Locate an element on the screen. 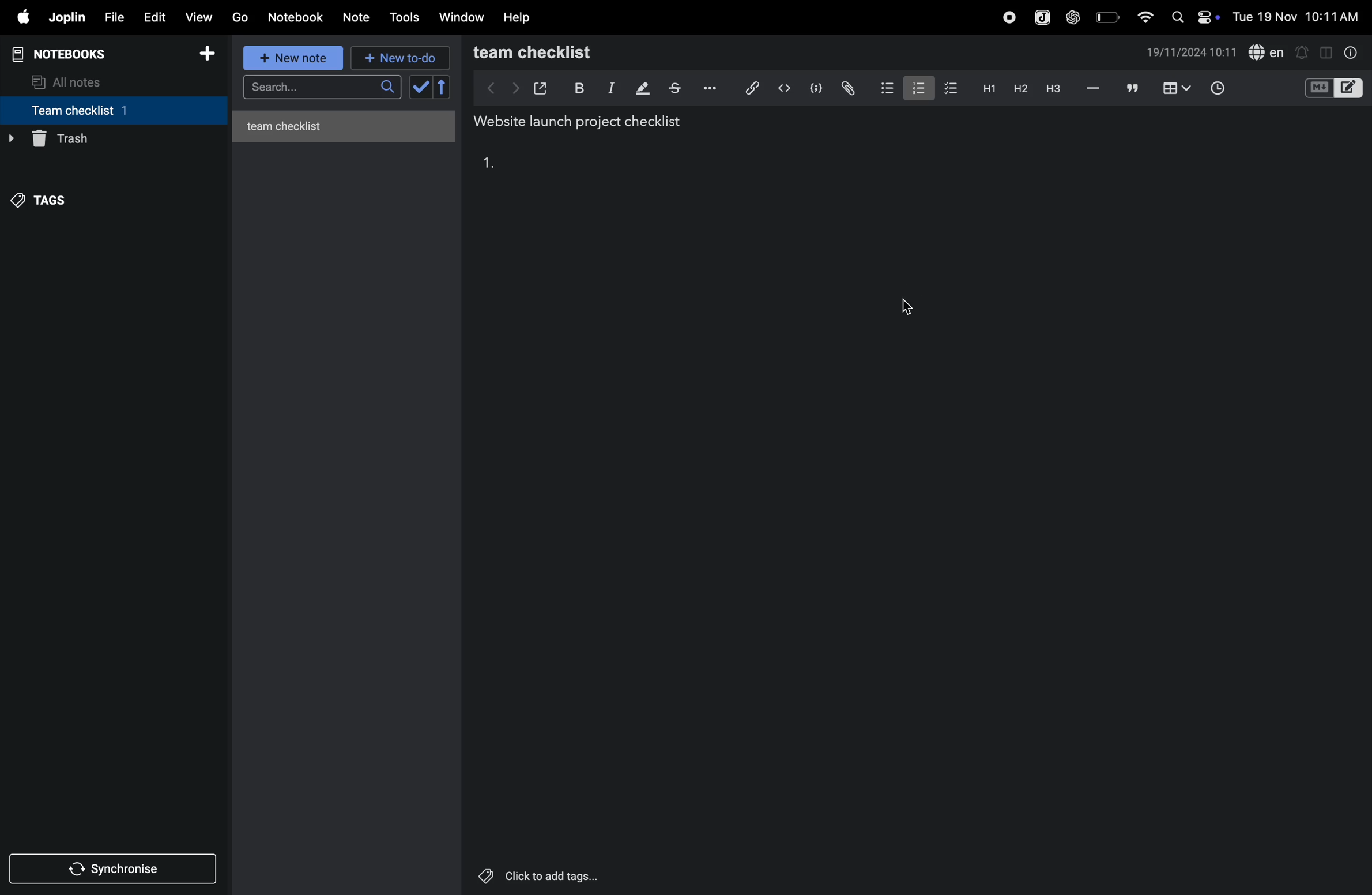 Image resolution: width=1372 pixels, height=895 pixels. search  is located at coordinates (320, 89).